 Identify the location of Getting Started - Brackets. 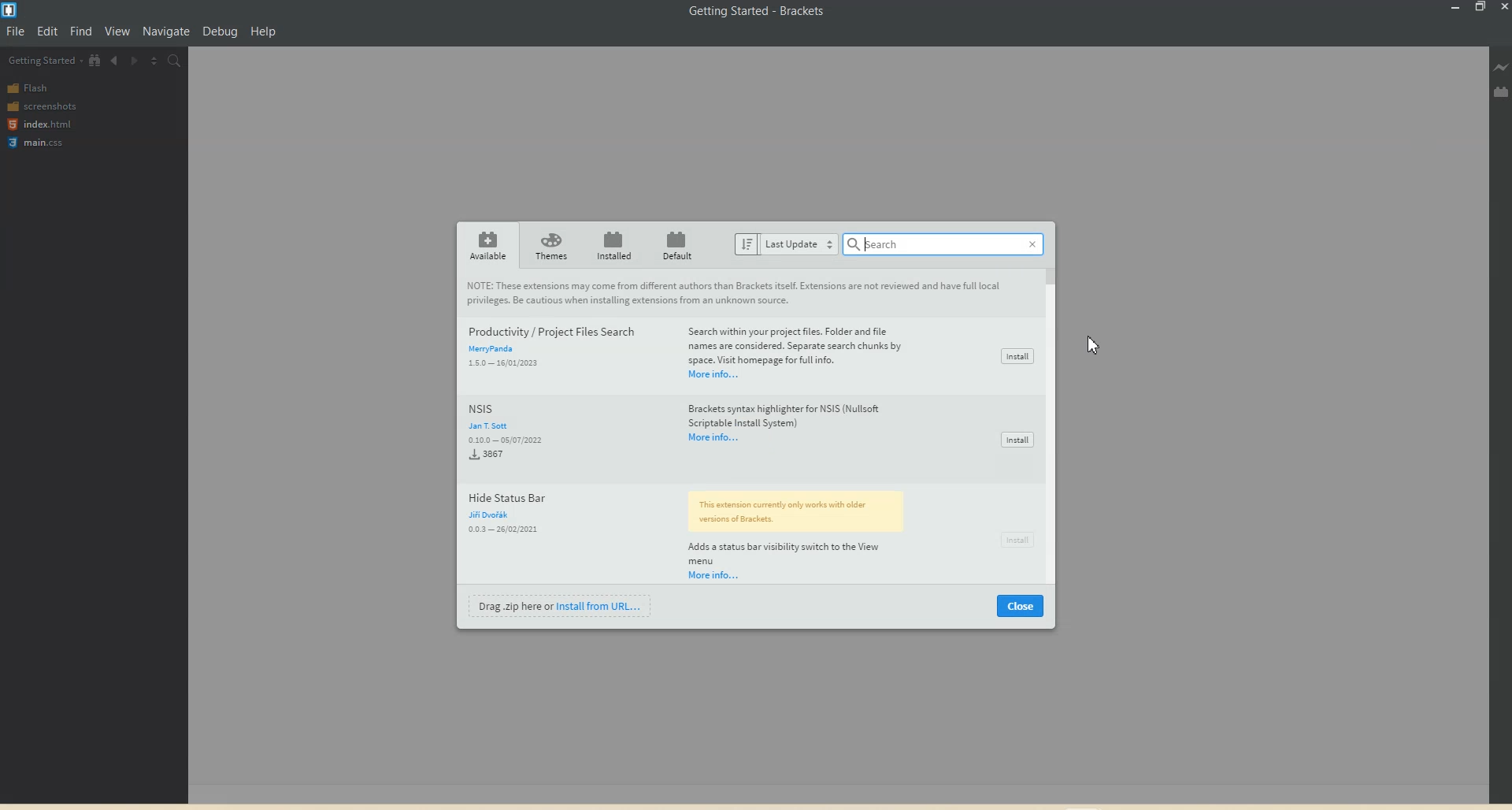
(756, 12).